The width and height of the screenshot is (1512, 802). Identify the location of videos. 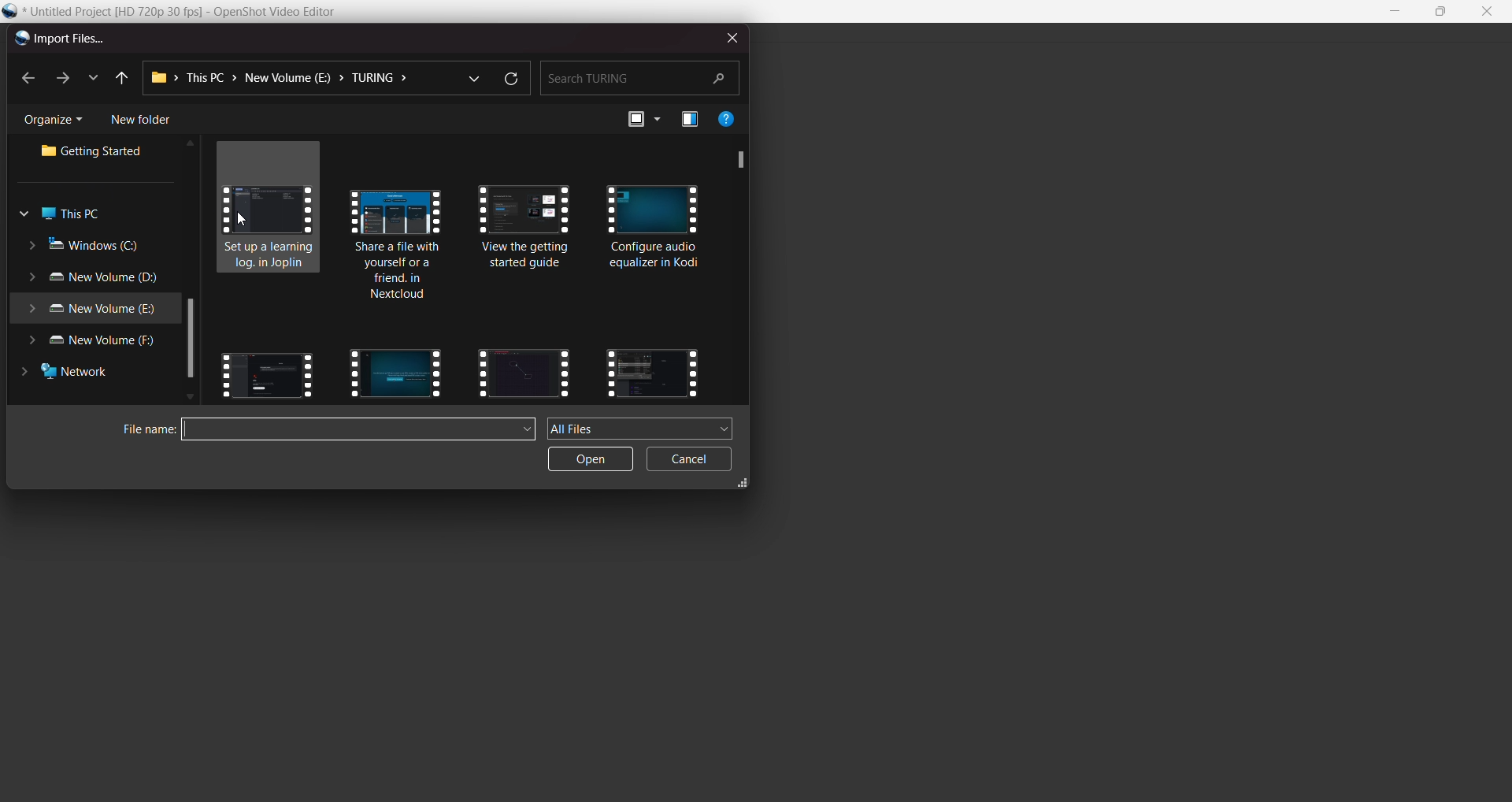
(656, 230).